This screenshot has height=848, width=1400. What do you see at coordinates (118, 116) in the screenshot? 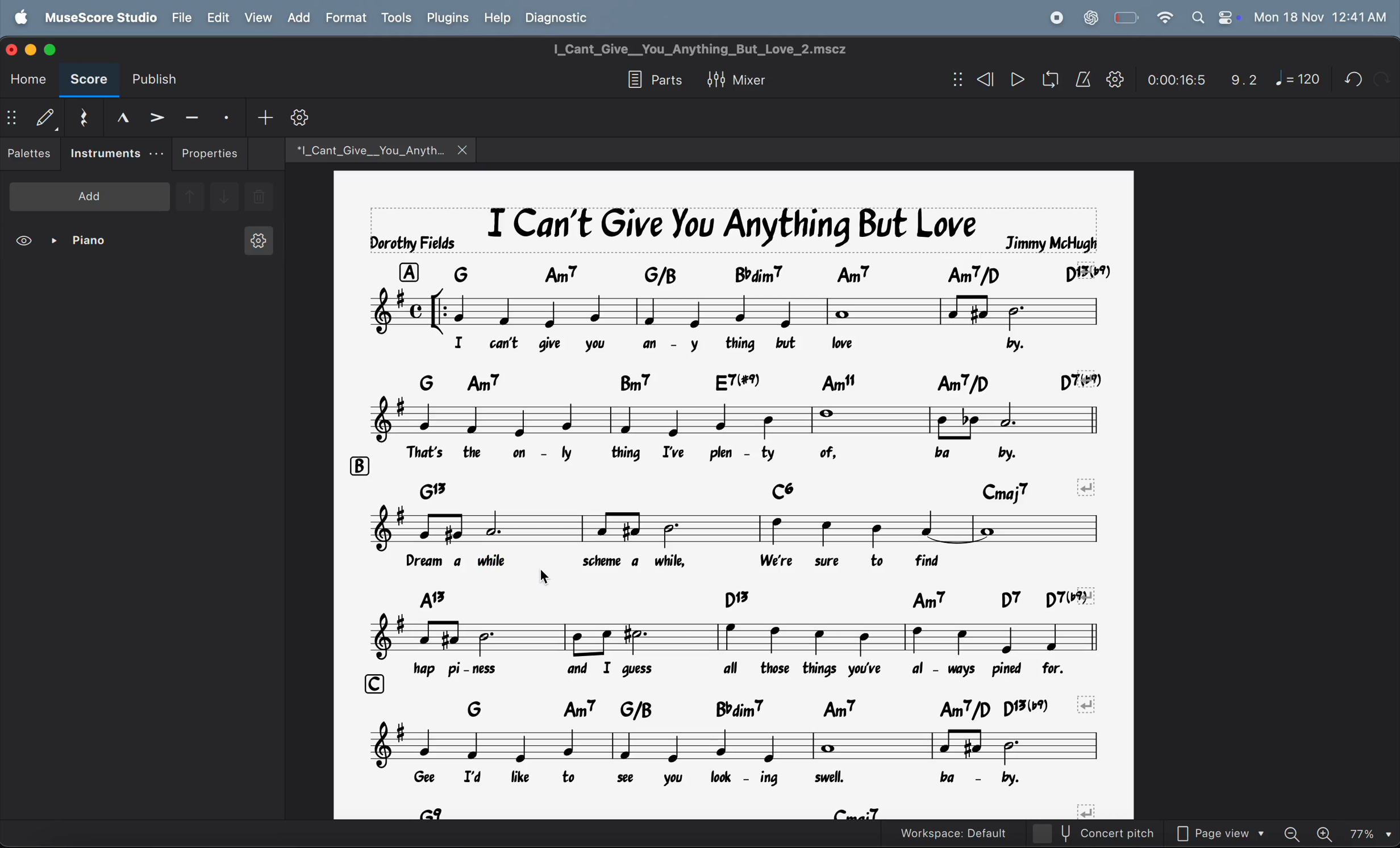
I see `marcato` at bounding box center [118, 116].